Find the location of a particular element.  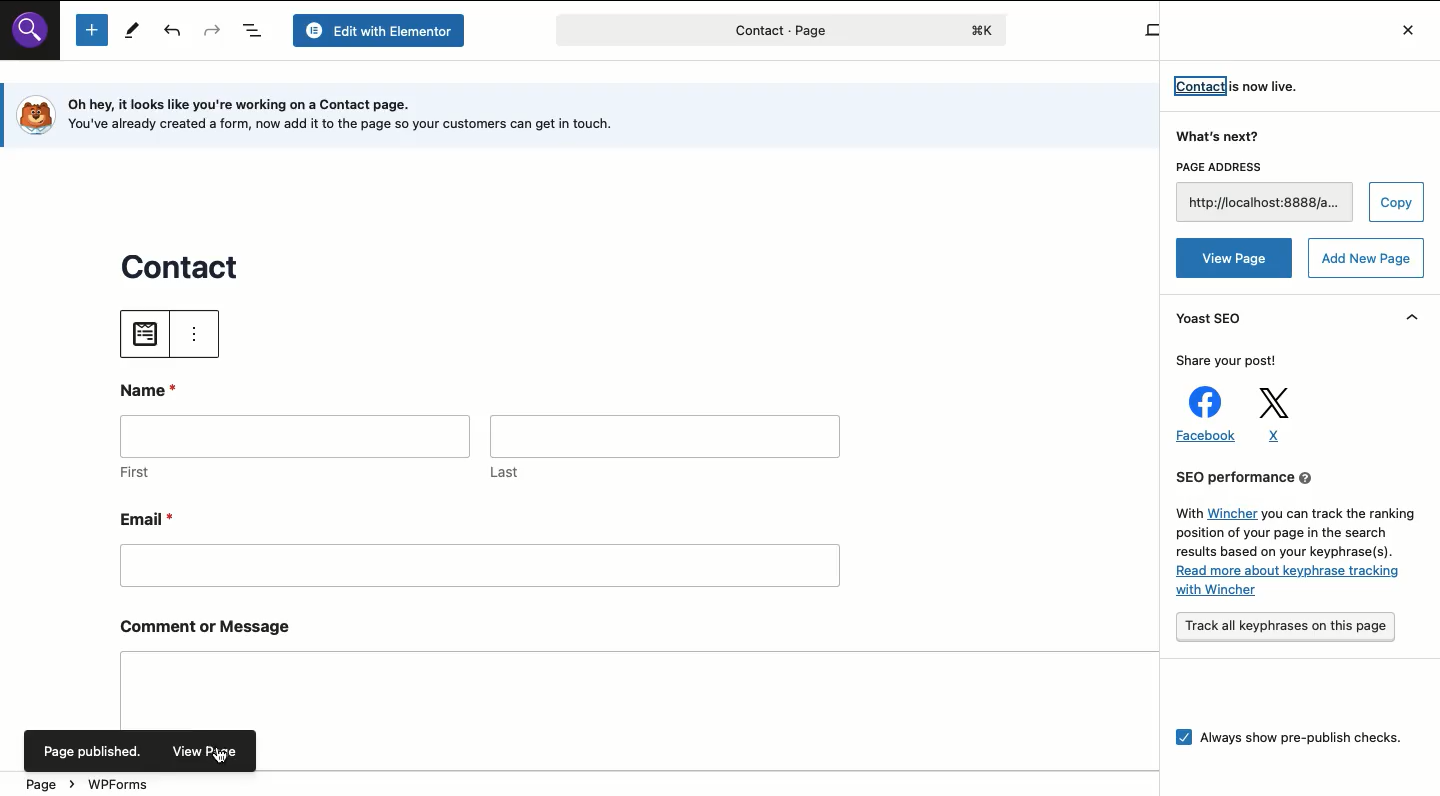

view menu is located at coordinates (196, 333).